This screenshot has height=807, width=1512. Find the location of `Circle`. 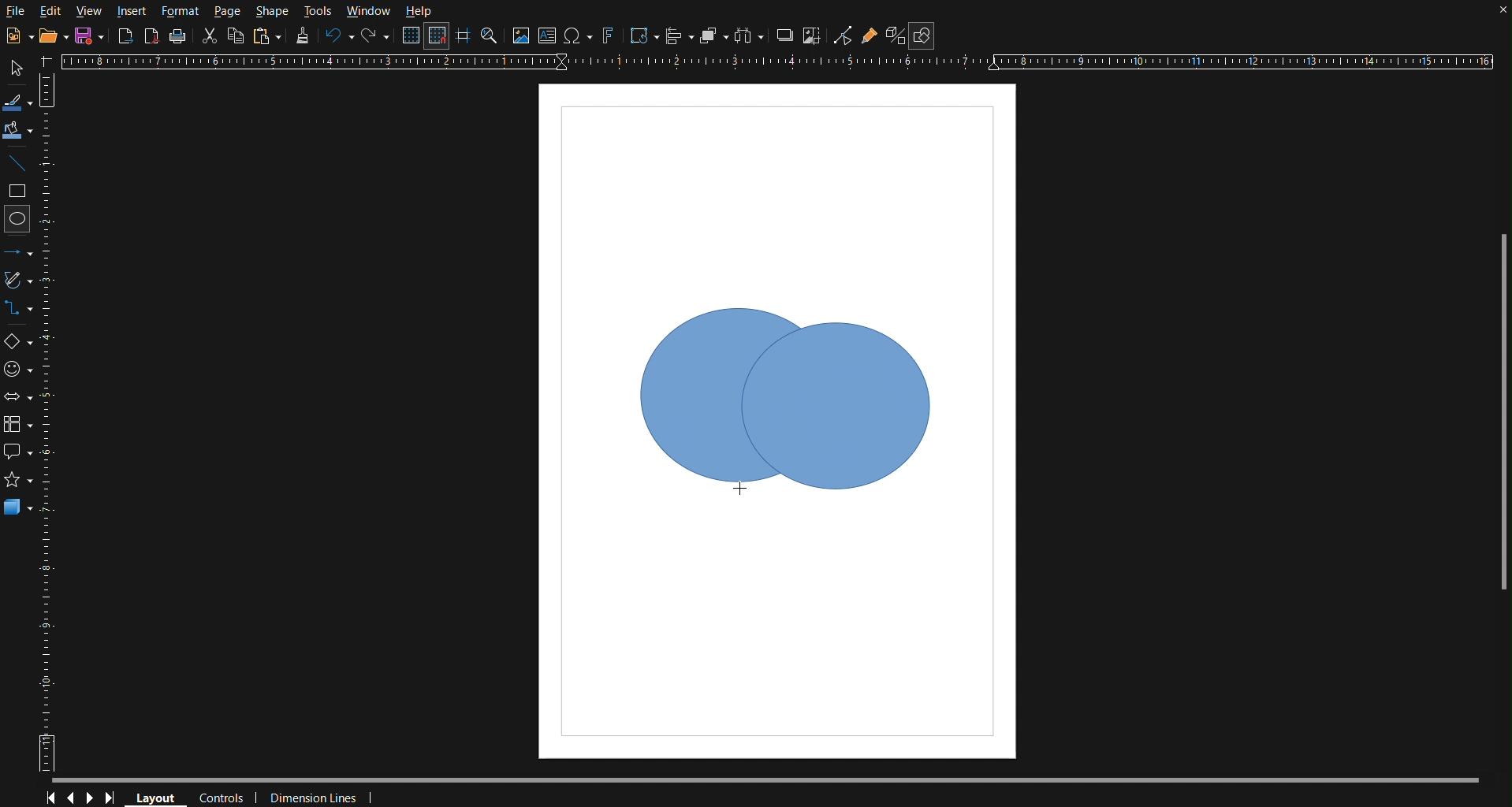

Circle is located at coordinates (19, 222).